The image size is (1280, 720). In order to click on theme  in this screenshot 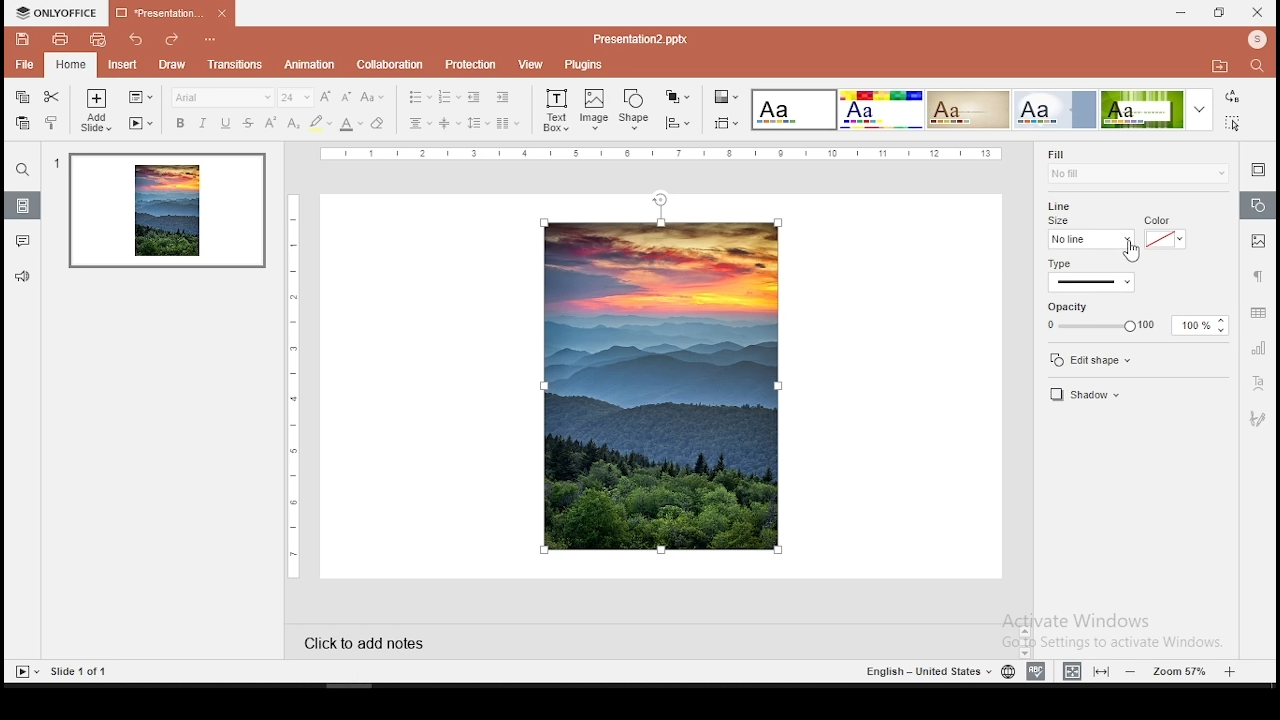, I will do `click(880, 109)`.